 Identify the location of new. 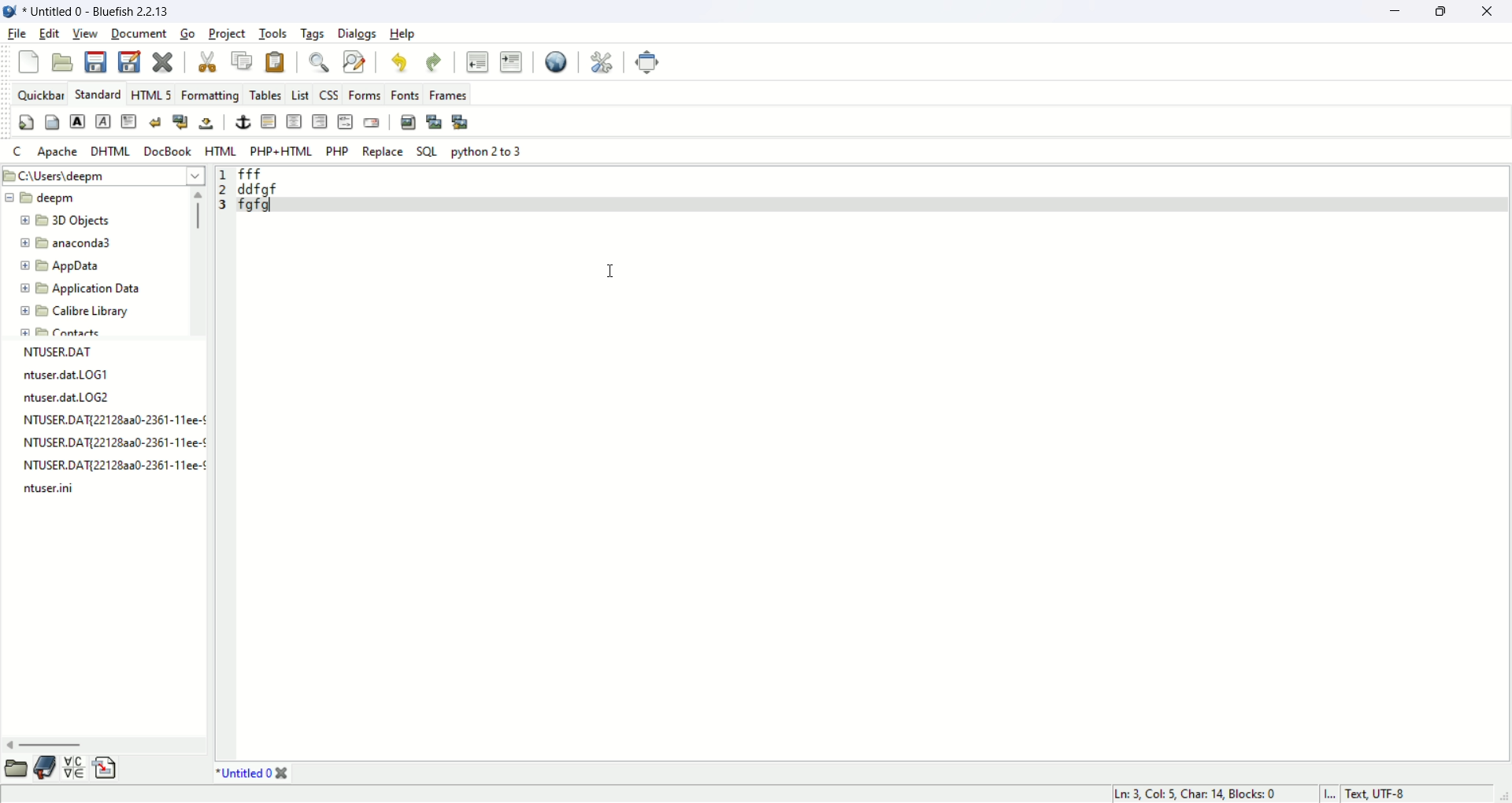
(29, 61).